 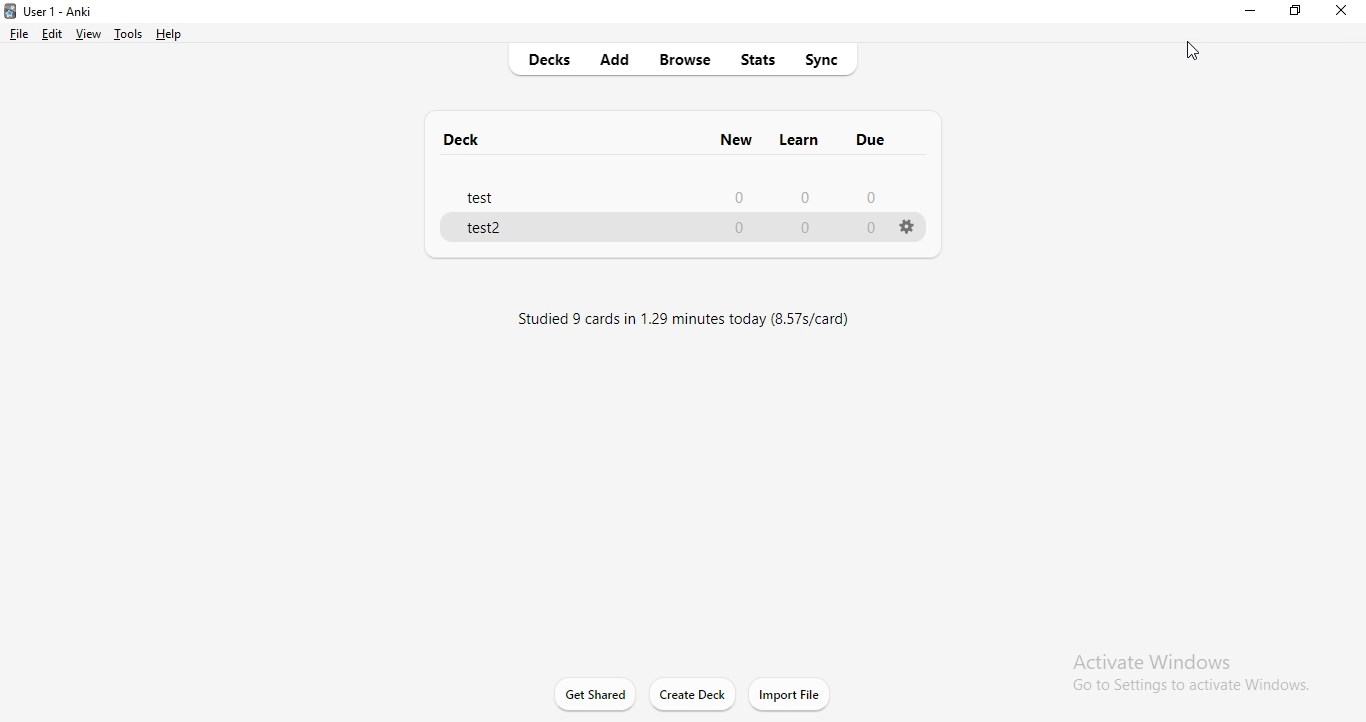 I want to click on tools, so click(x=130, y=35).